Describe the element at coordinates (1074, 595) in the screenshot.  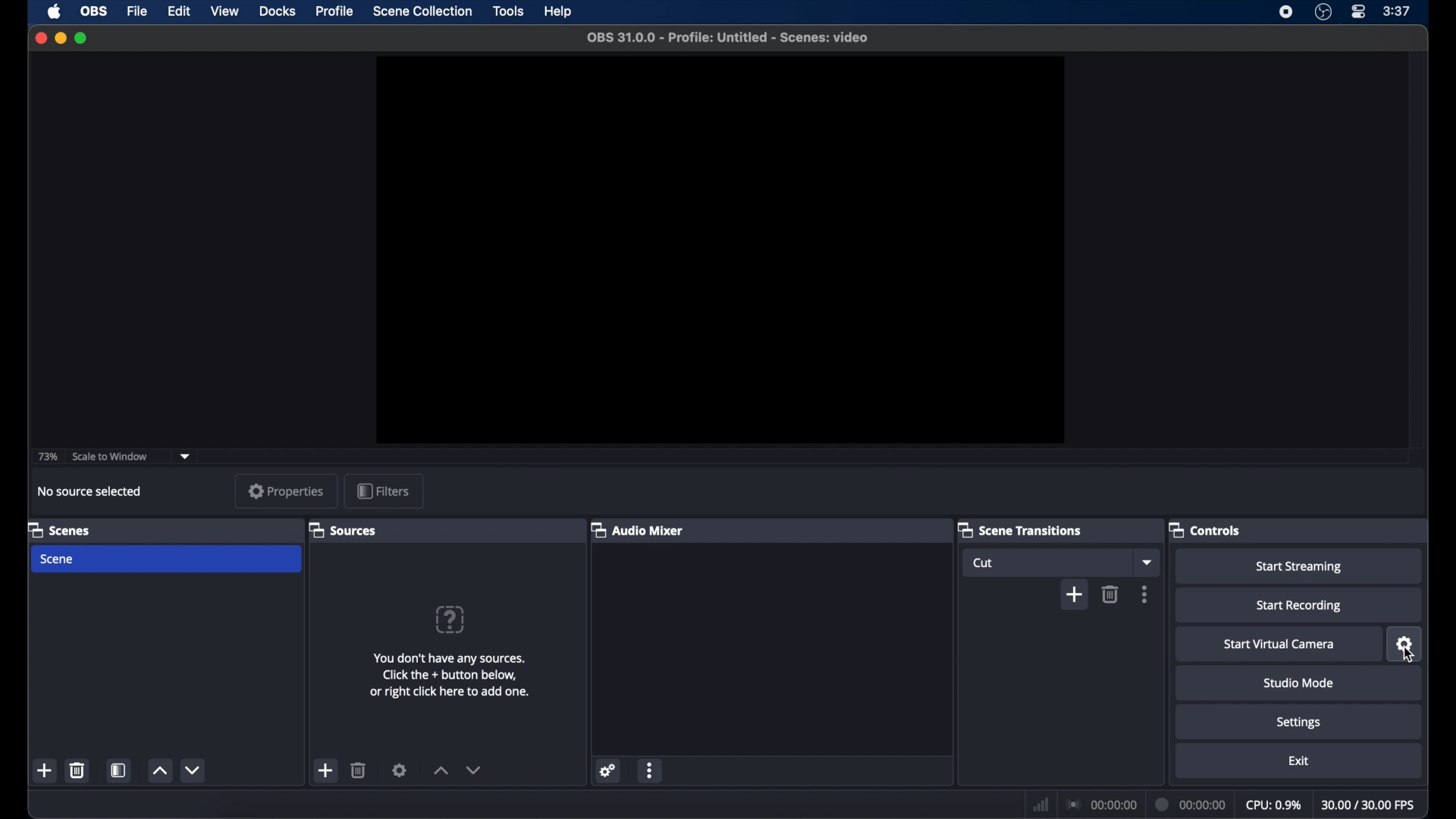
I see `add` at that location.